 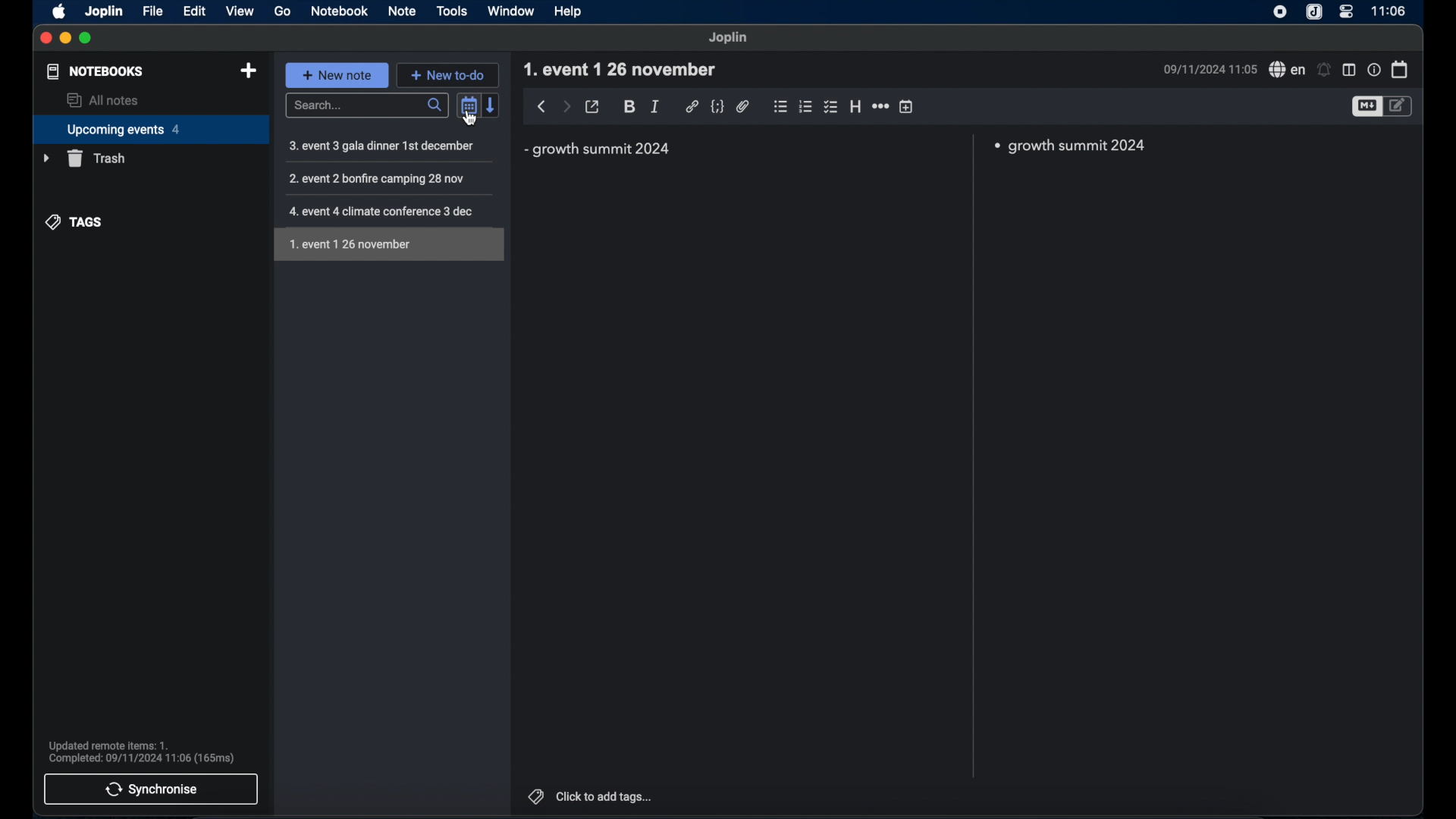 I want to click on view, so click(x=239, y=11).